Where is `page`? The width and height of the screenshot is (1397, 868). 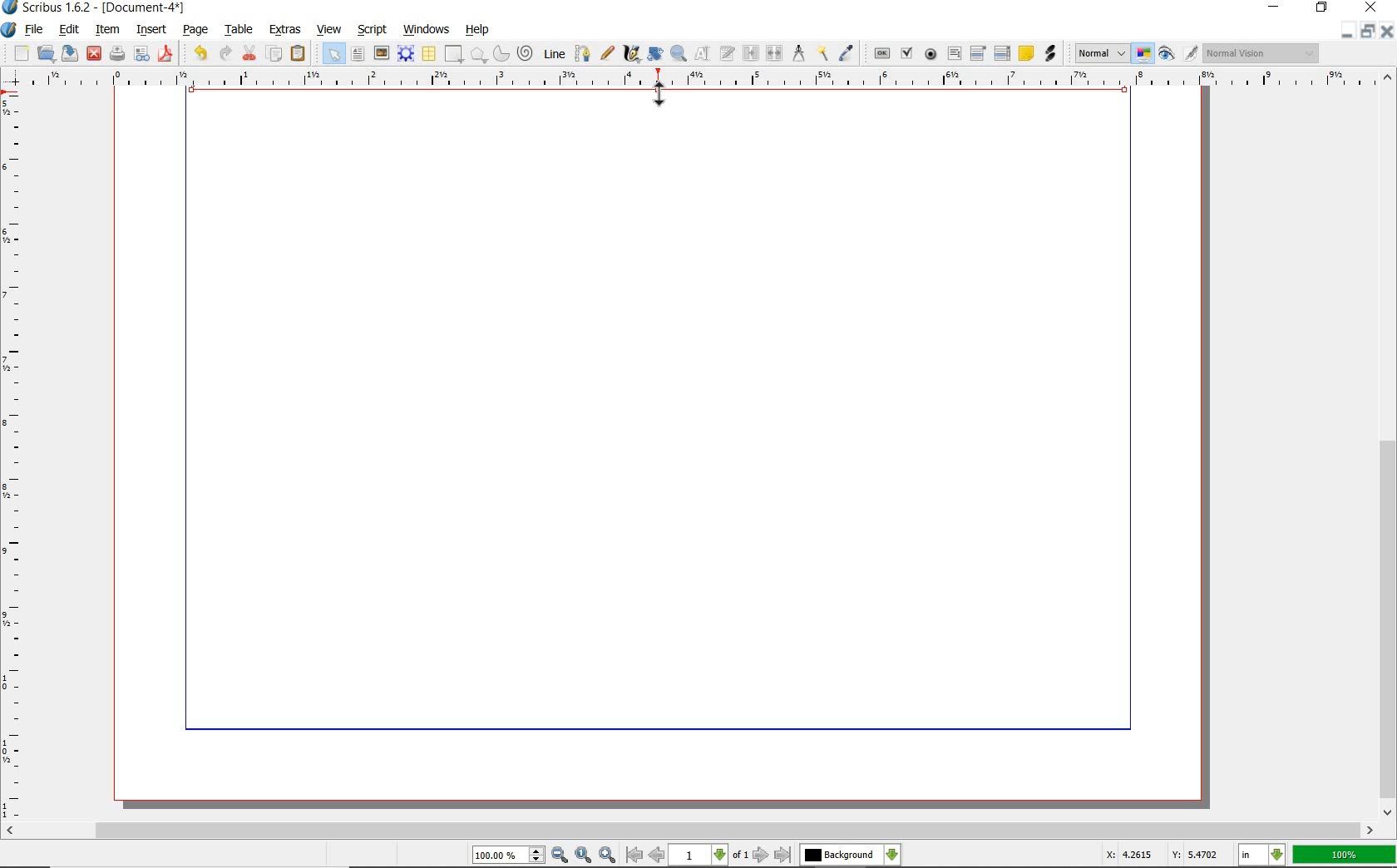 page is located at coordinates (197, 31).